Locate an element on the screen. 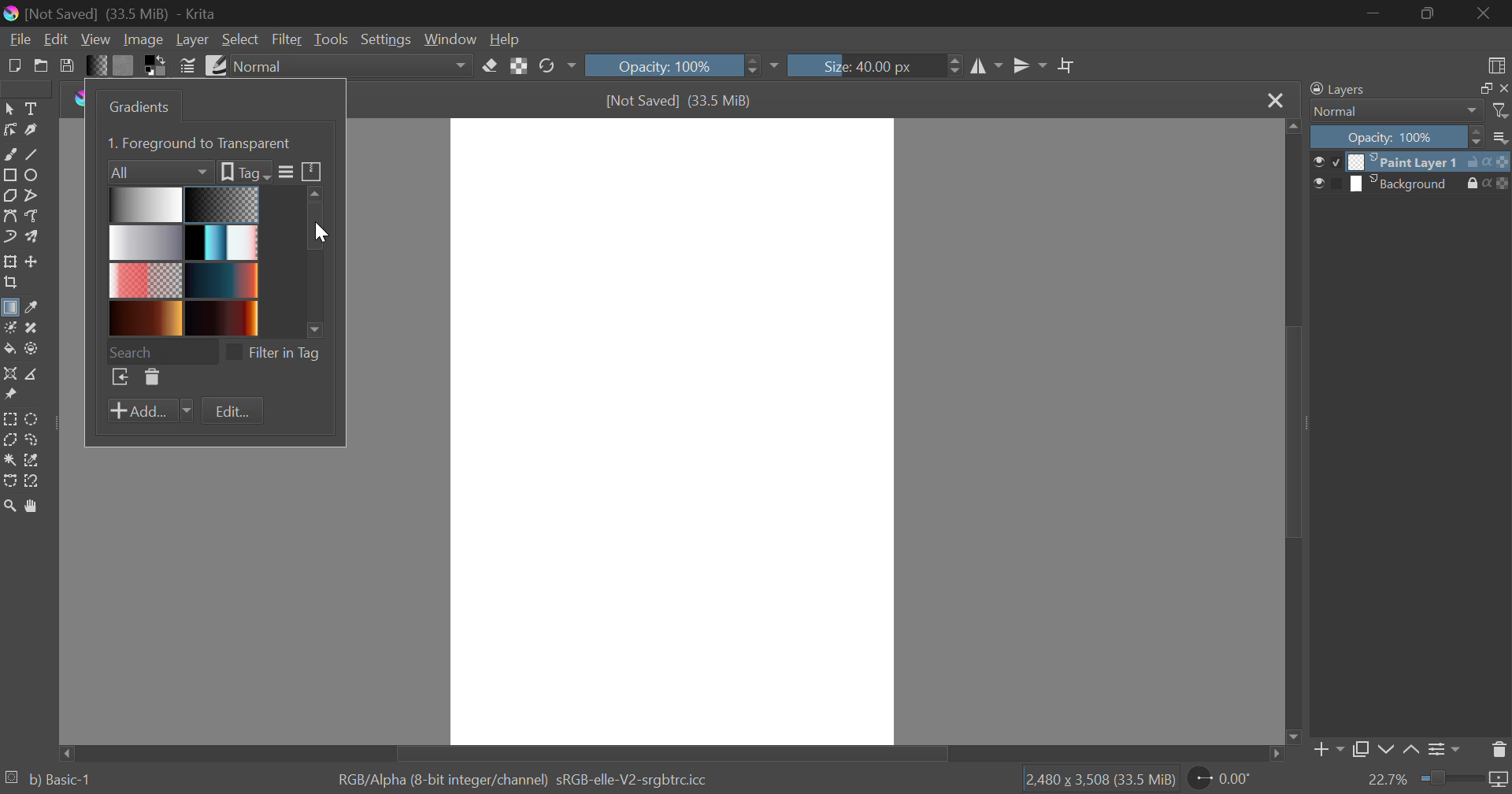  All is located at coordinates (161, 170).